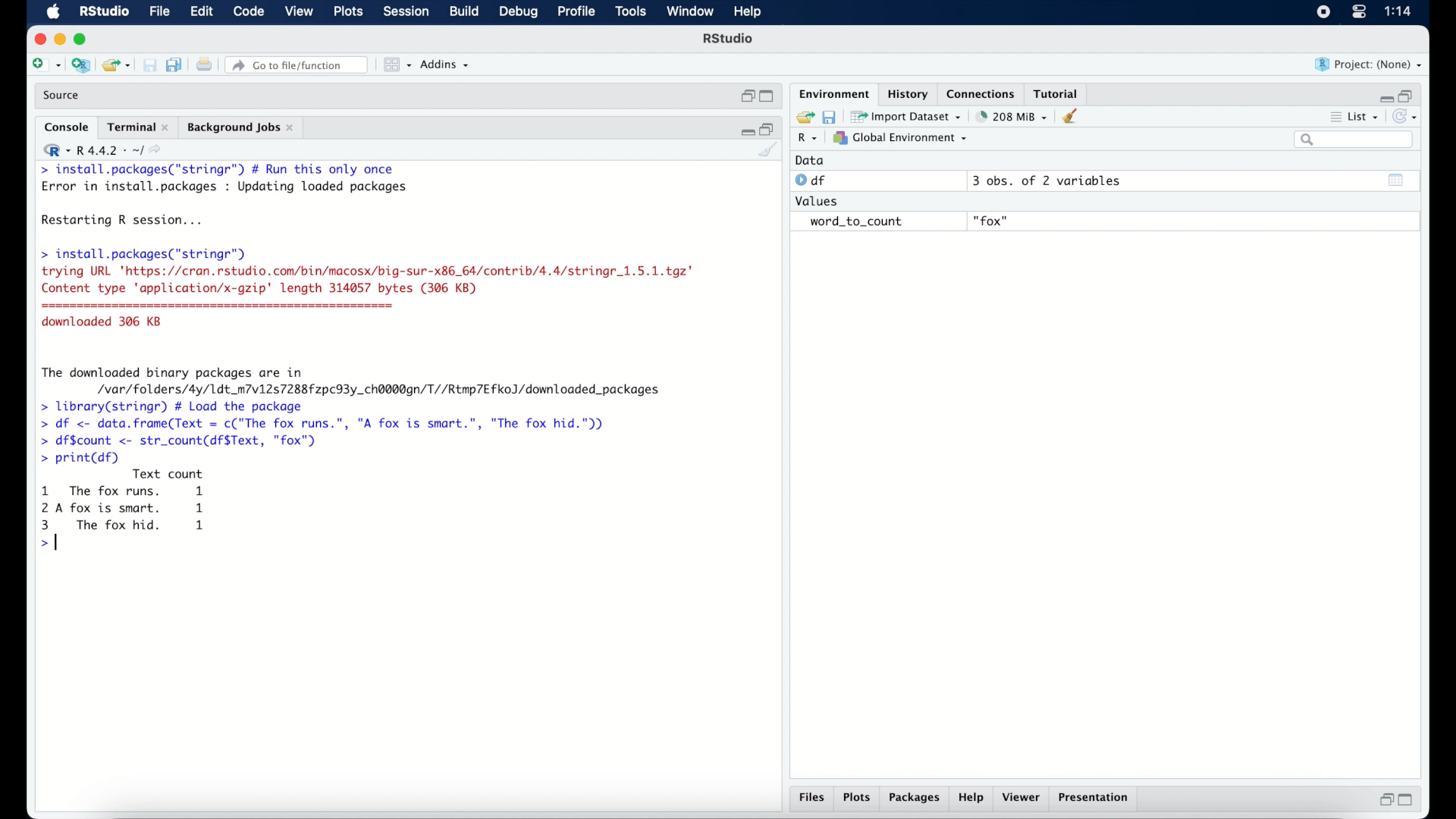 The image size is (1456, 819). Describe the element at coordinates (242, 129) in the screenshot. I see `background jobs` at that location.